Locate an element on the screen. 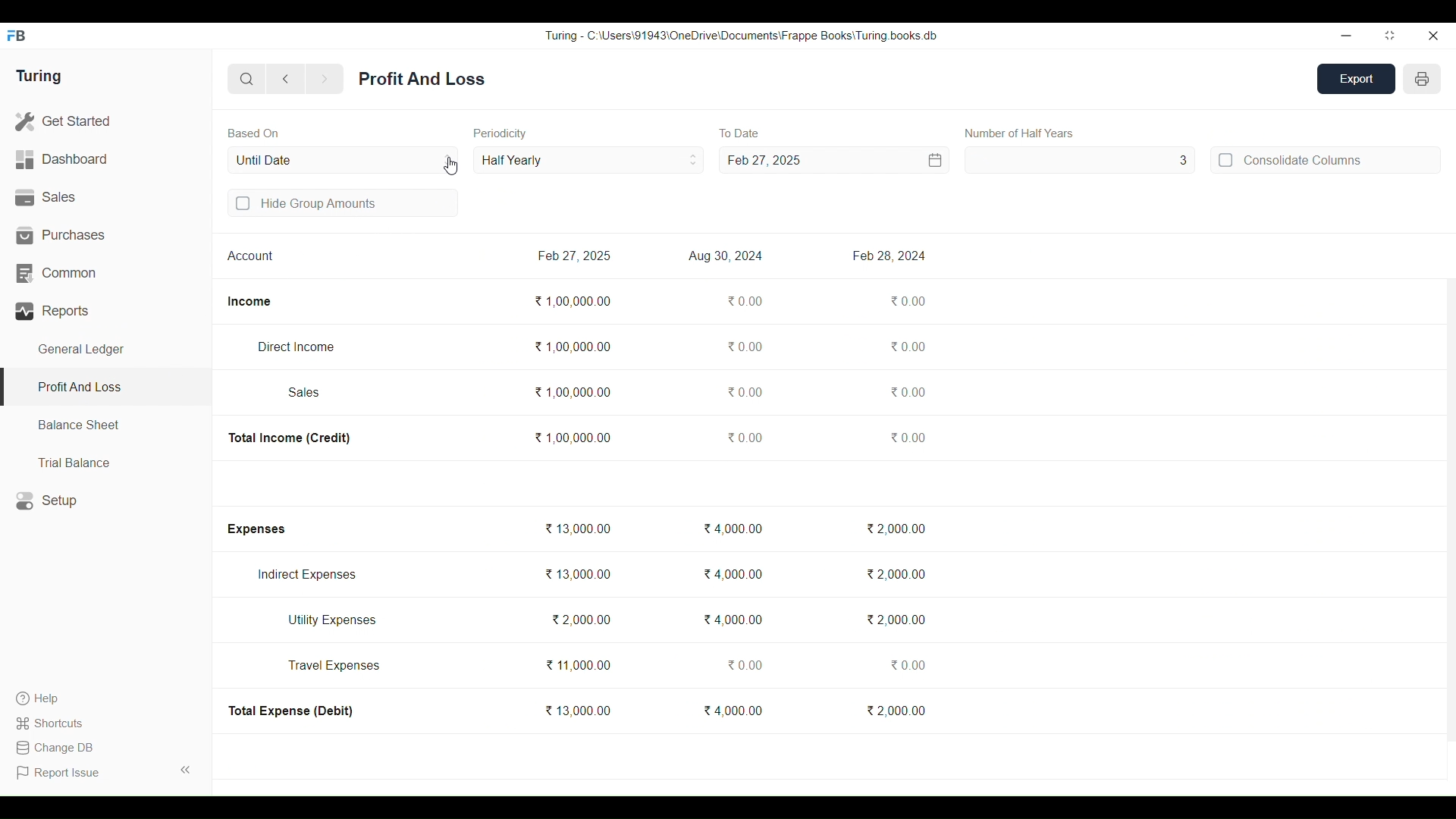 This screenshot has height=819, width=1456. 2,000.00 is located at coordinates (894, 529).